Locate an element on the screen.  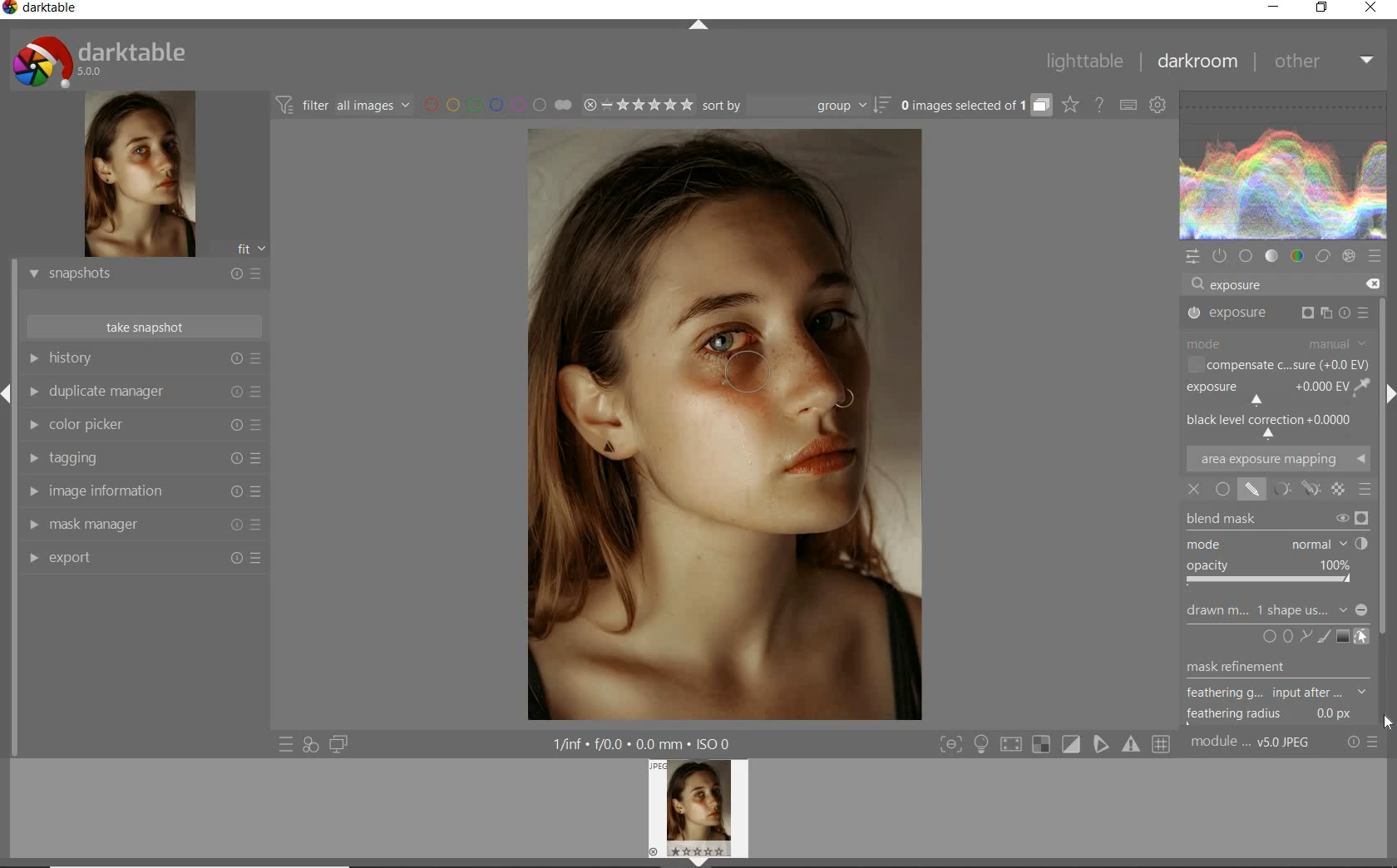
enable online help is located at coordinates (1099, 106).